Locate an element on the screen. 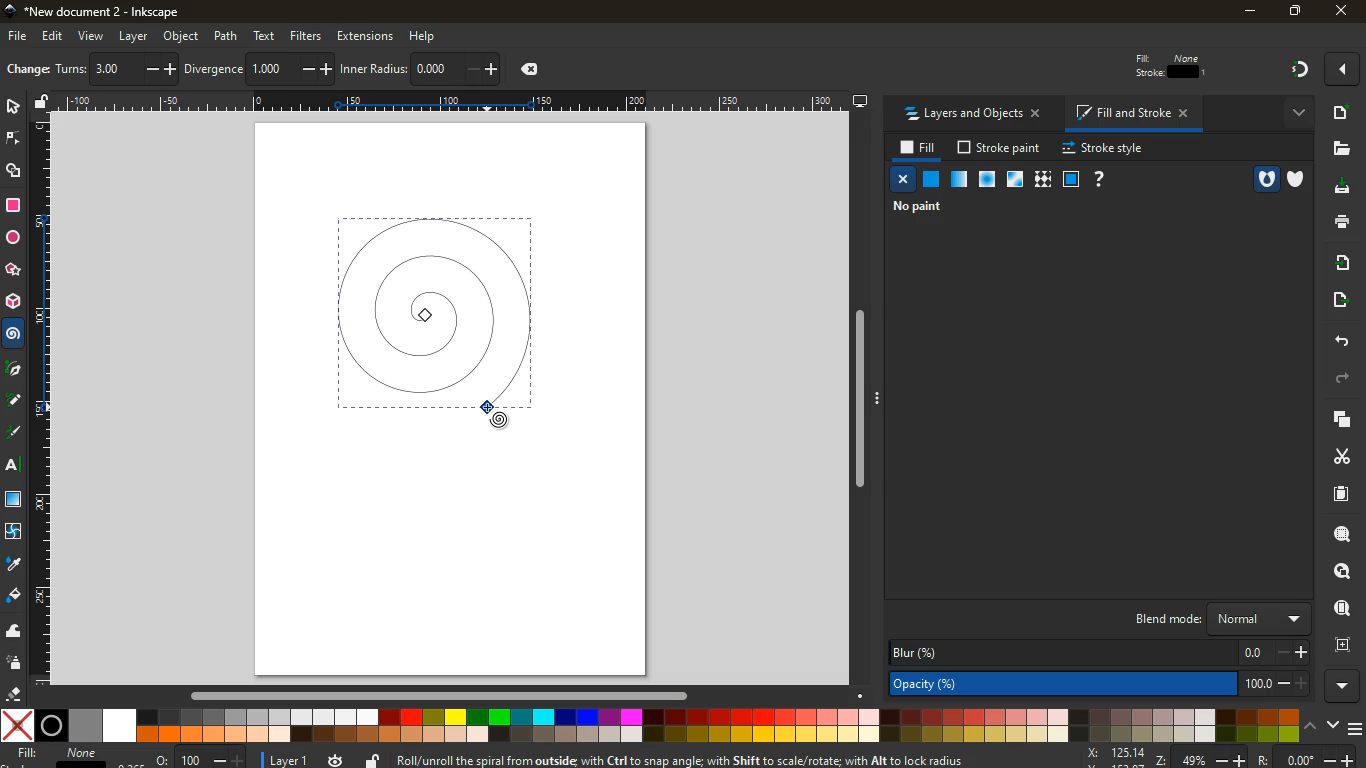 This screenshot has width=1366, height=768. zoom is located at coordinates (1226, 756).